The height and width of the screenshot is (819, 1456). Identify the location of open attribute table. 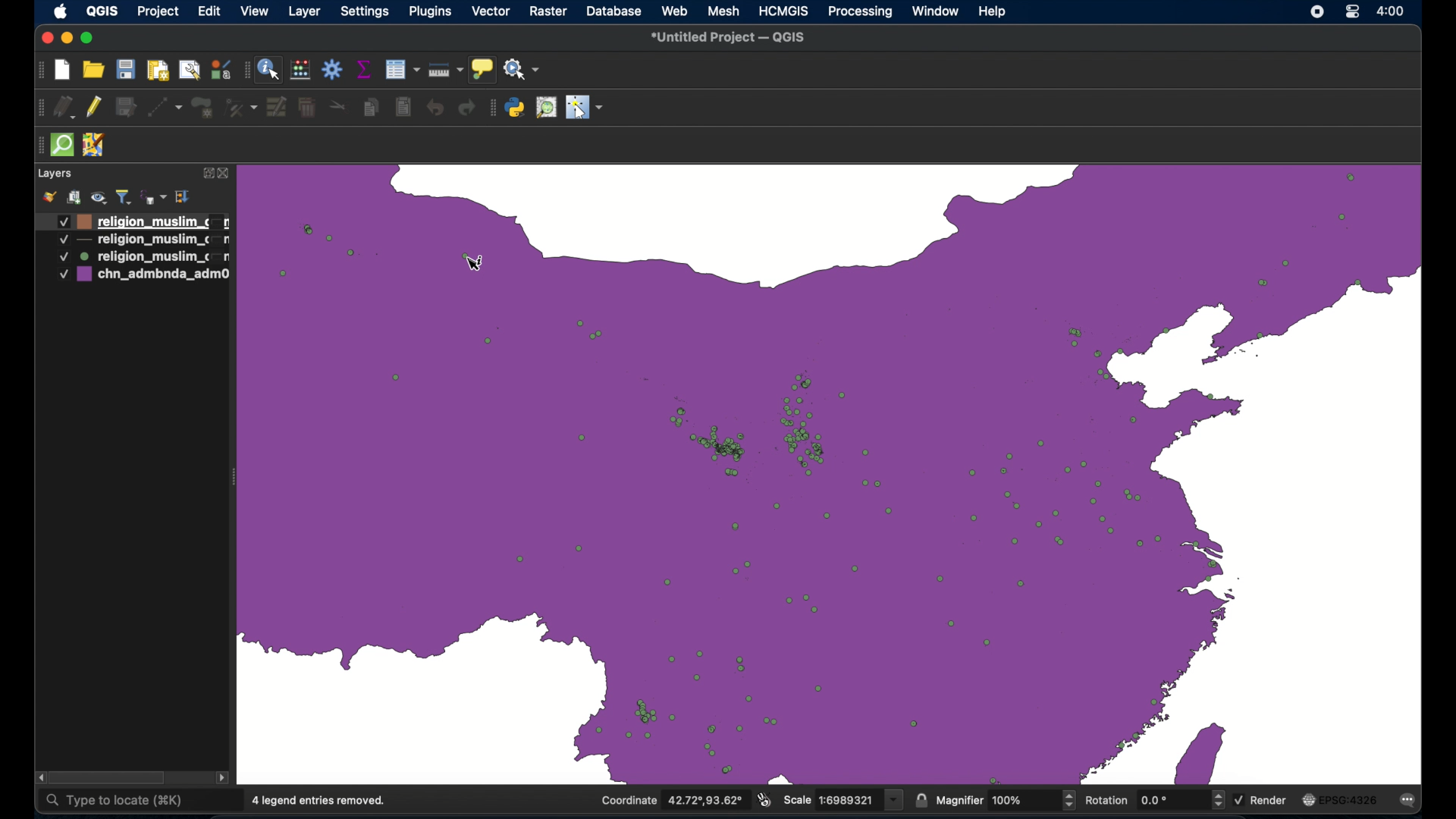
(404, 70).